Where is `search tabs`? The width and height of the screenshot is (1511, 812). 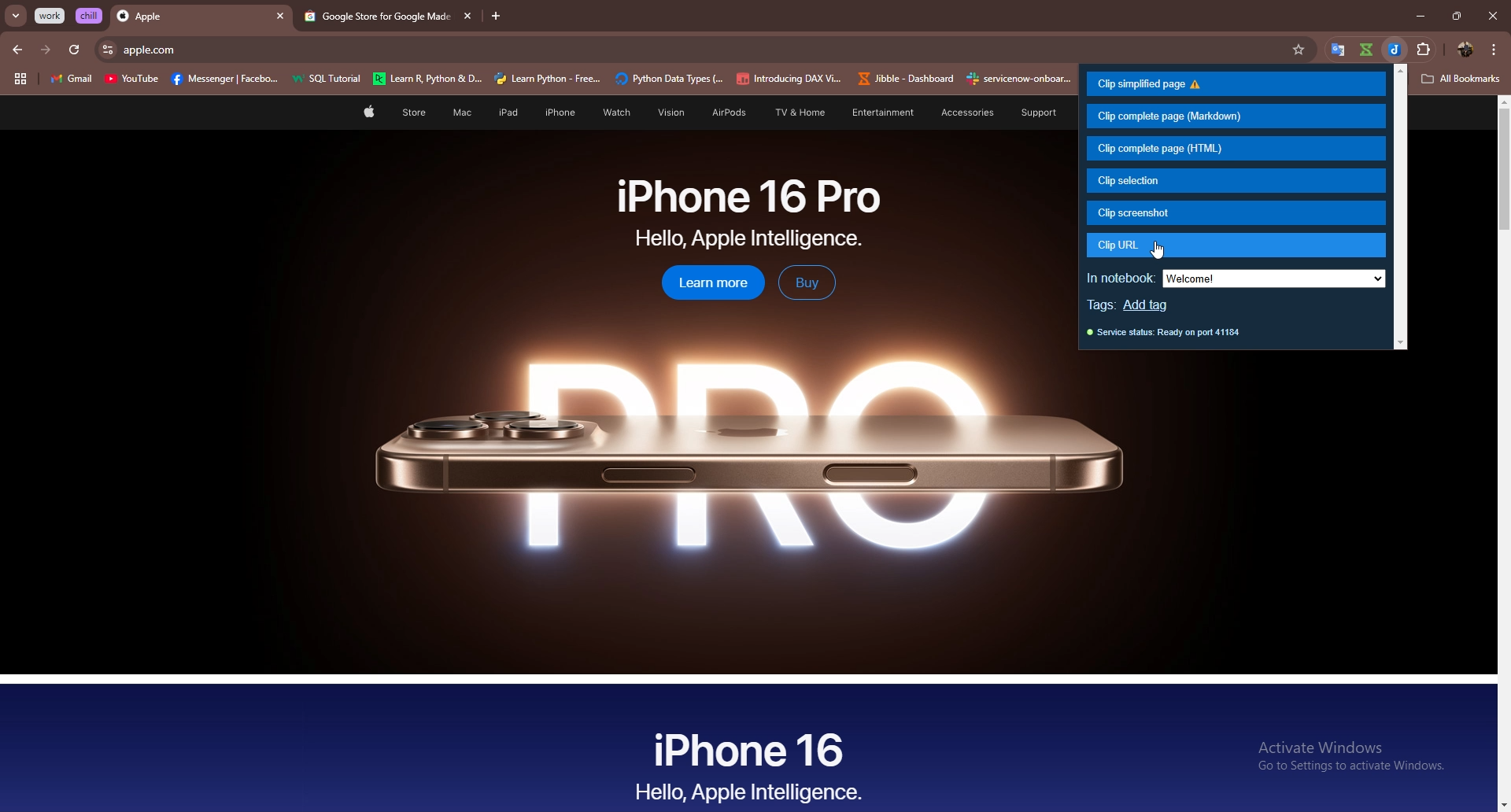 search tabs is located at coordinates (17, 17).